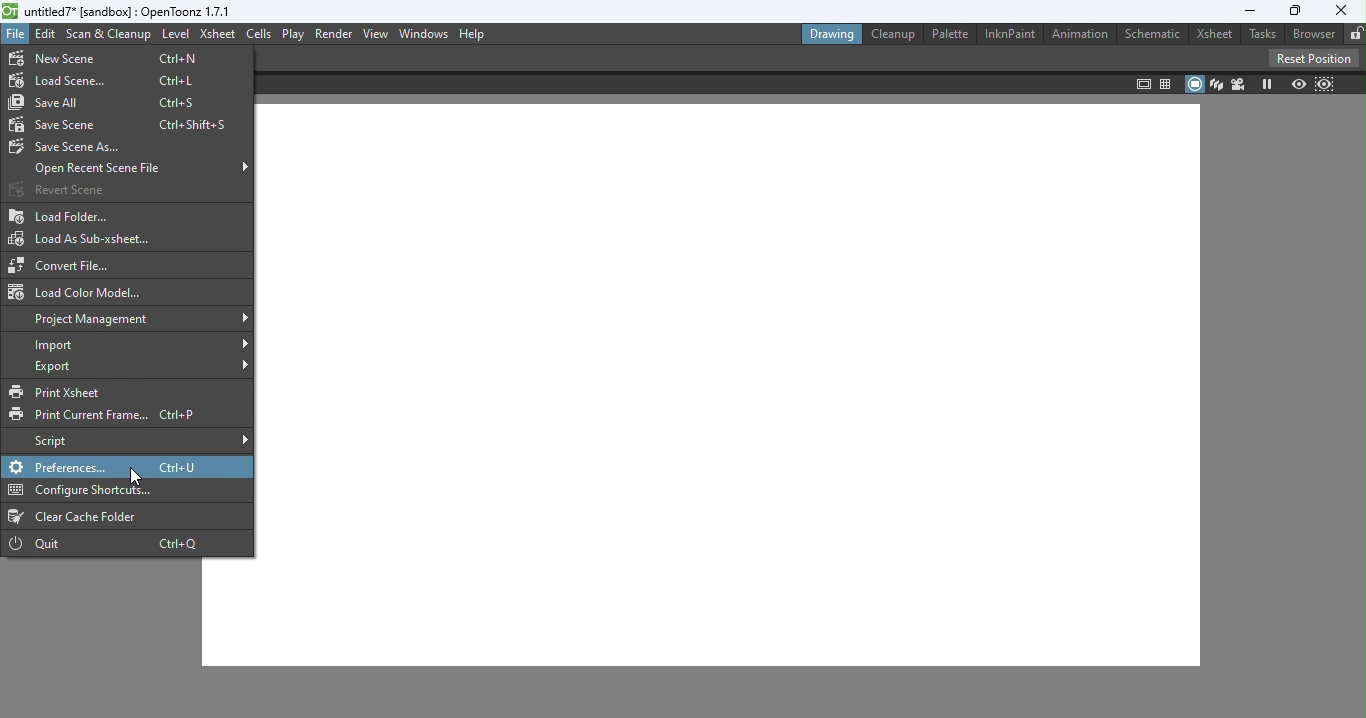 This screenshot has width=1366, height=718. What do you see at coordinates (109, 415) in the screenshot?
I see `Print current frame` at bounding box center [109, 415].